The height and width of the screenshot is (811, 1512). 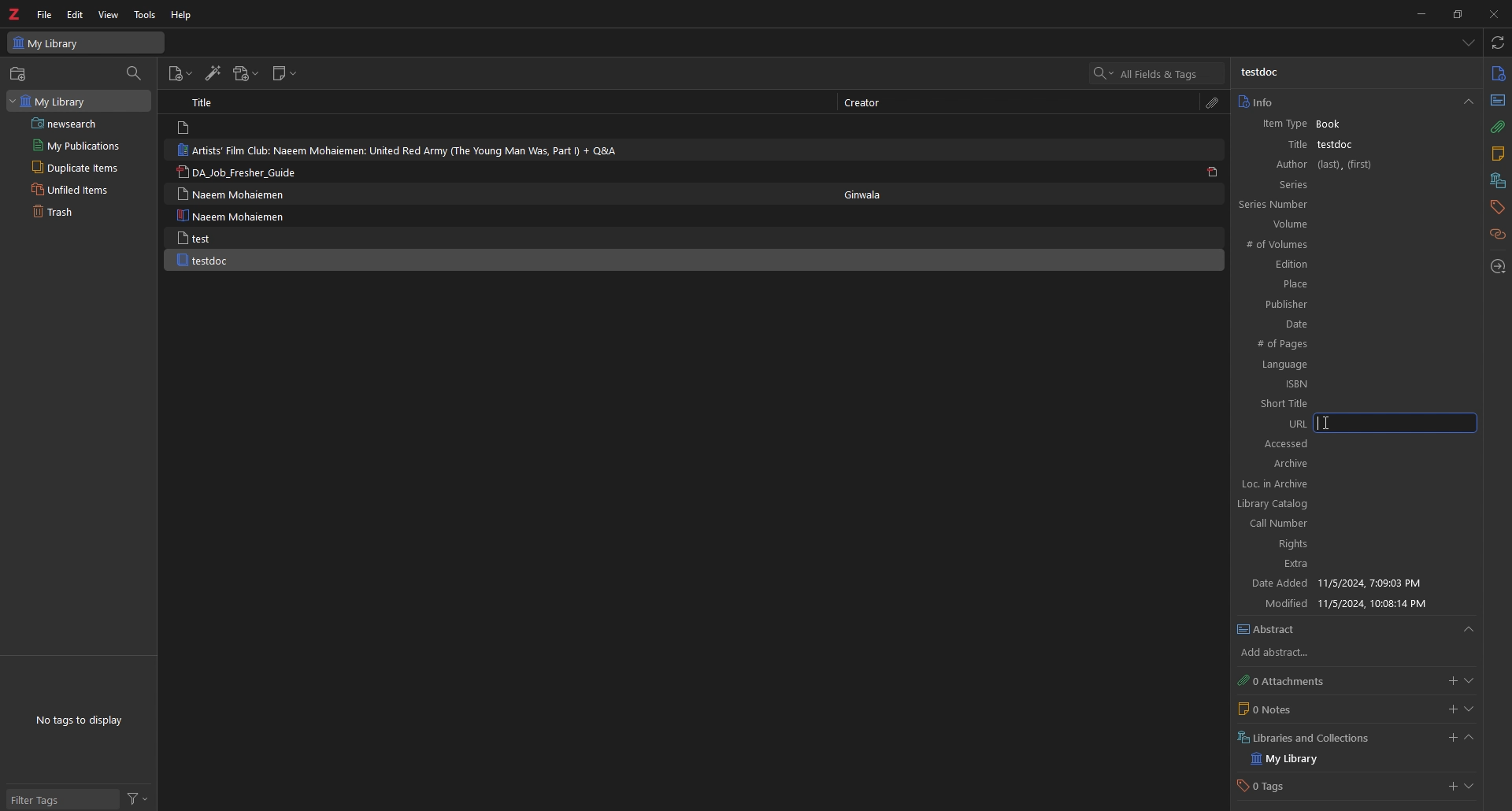 What do you see at coordinates (1493, 13) in the screenshot?
I see `close` at bounding box center [1493, 13].